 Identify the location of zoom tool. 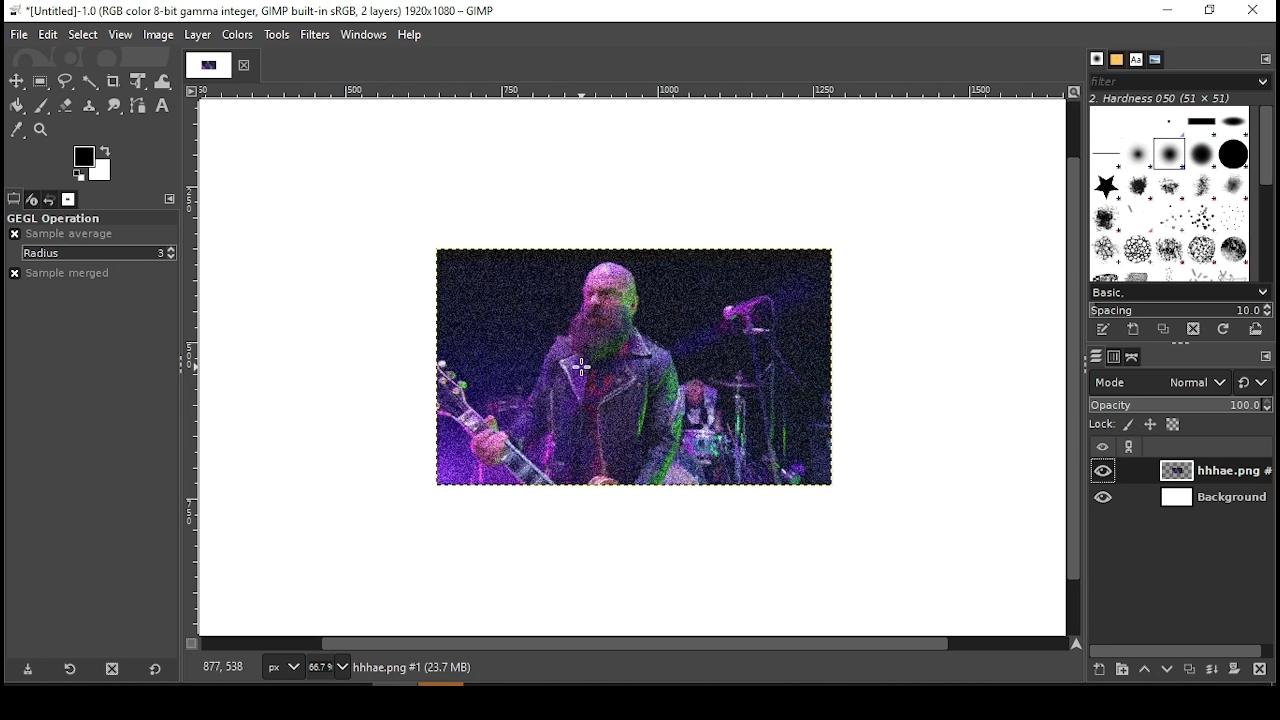
(42, 132).